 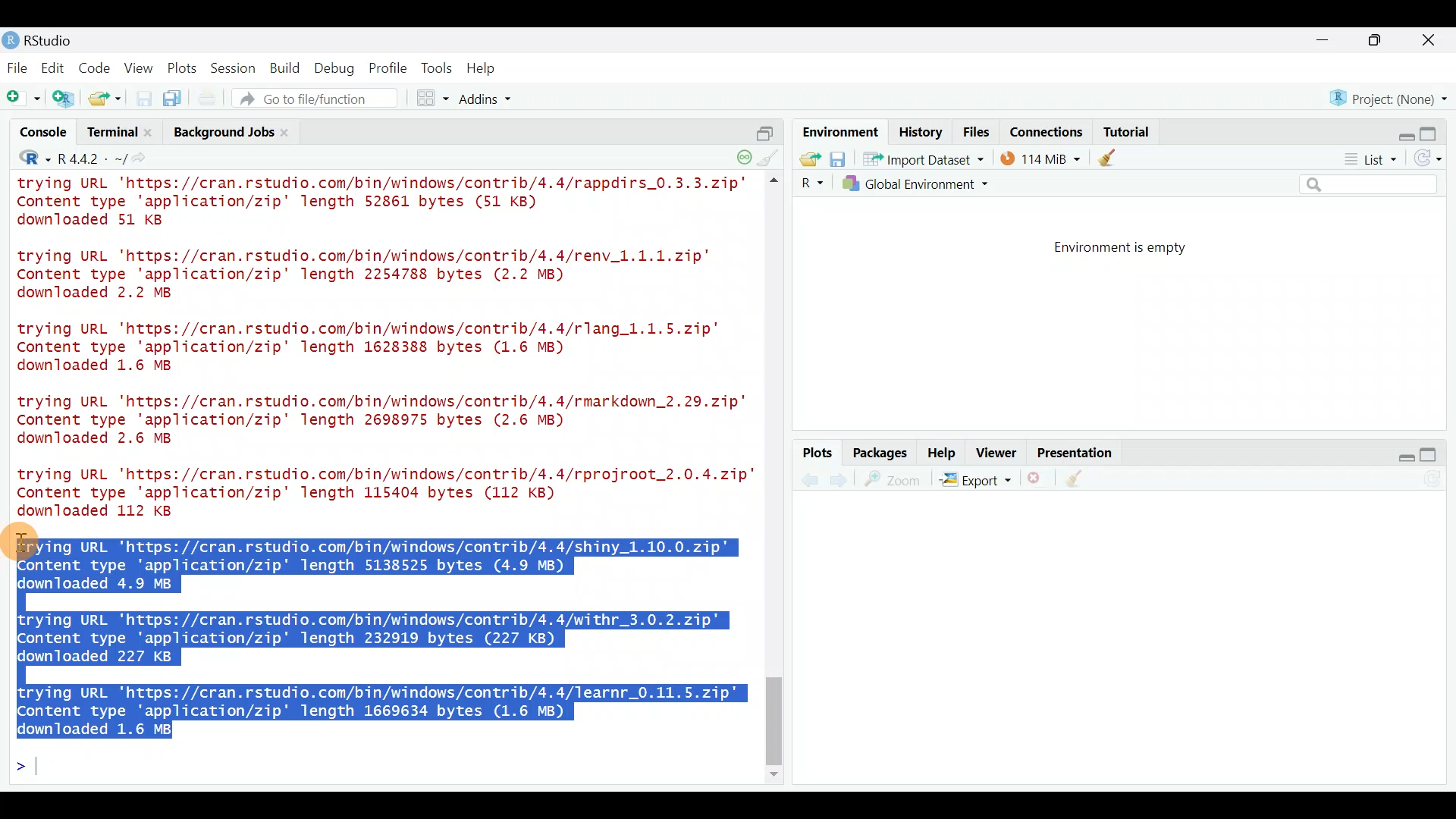 I want to click on maximize, so click(x=1435, y=454).